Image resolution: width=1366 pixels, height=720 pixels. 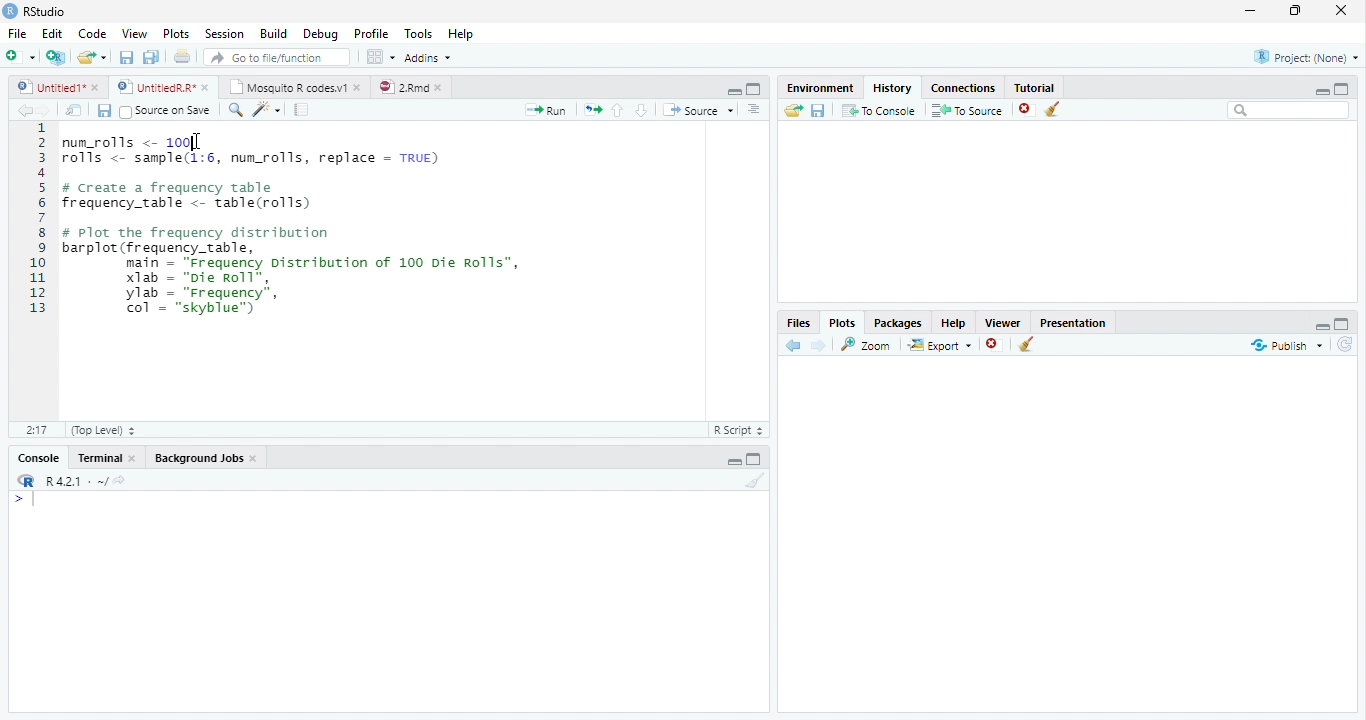 I want to click on Save current file, so click(x=126, y=57).